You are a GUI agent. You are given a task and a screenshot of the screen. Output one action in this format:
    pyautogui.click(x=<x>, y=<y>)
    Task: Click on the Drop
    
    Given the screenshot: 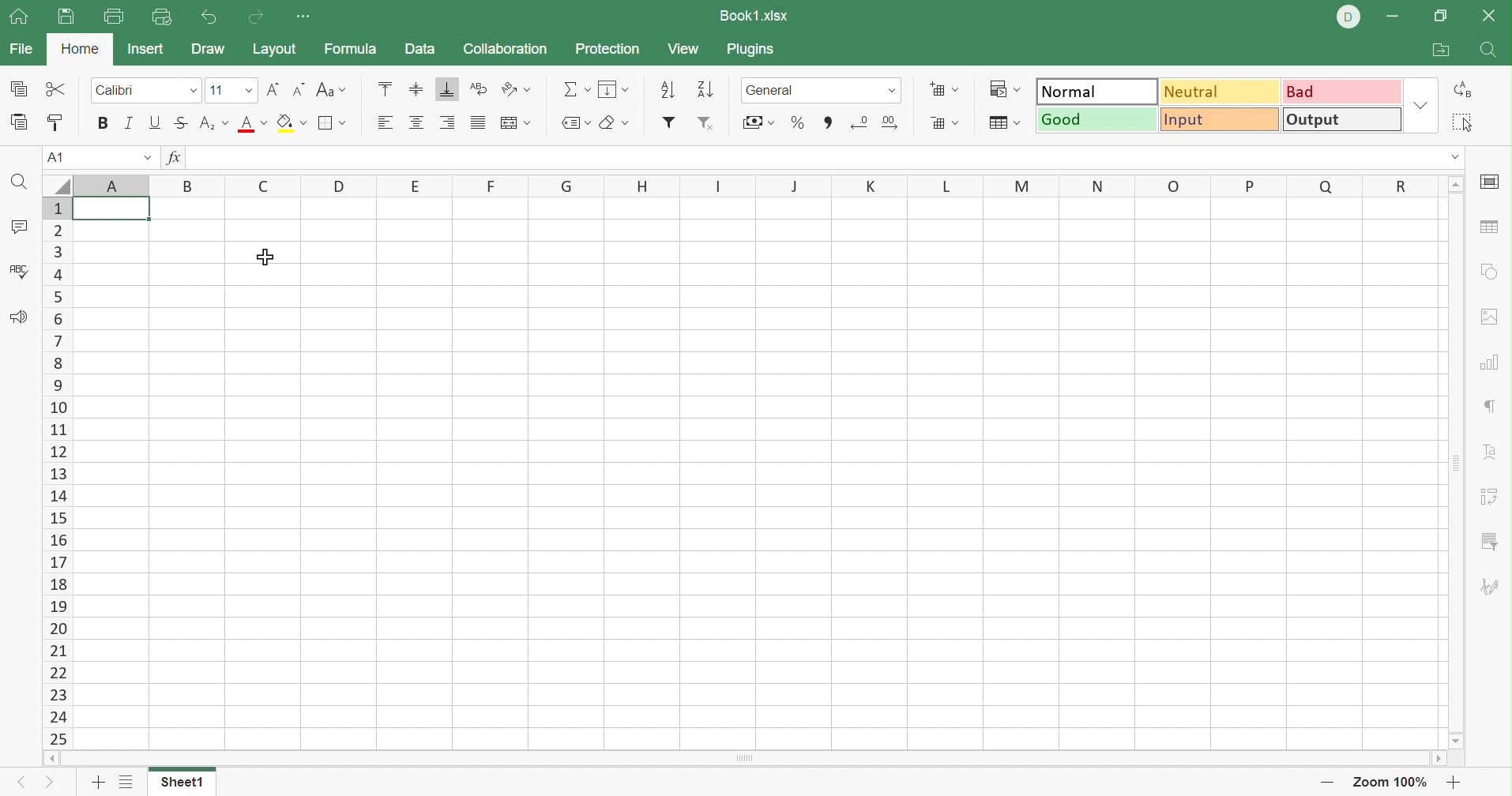 What is the action you would take?
    pyautogui.click(x=1420, y=104)
    